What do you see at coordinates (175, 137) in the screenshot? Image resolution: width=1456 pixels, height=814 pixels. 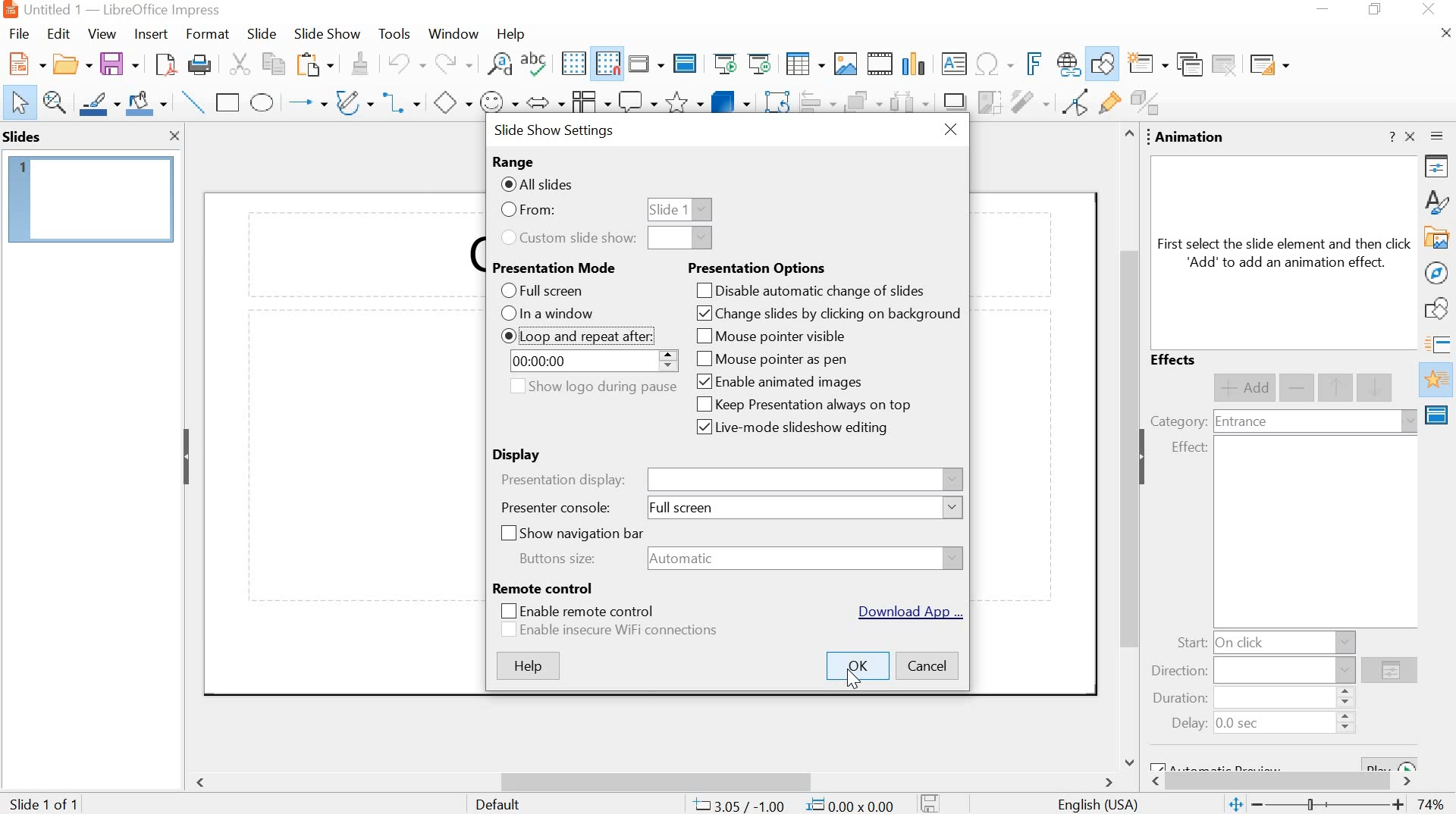 I see `close` at bounding box center [175, 137].